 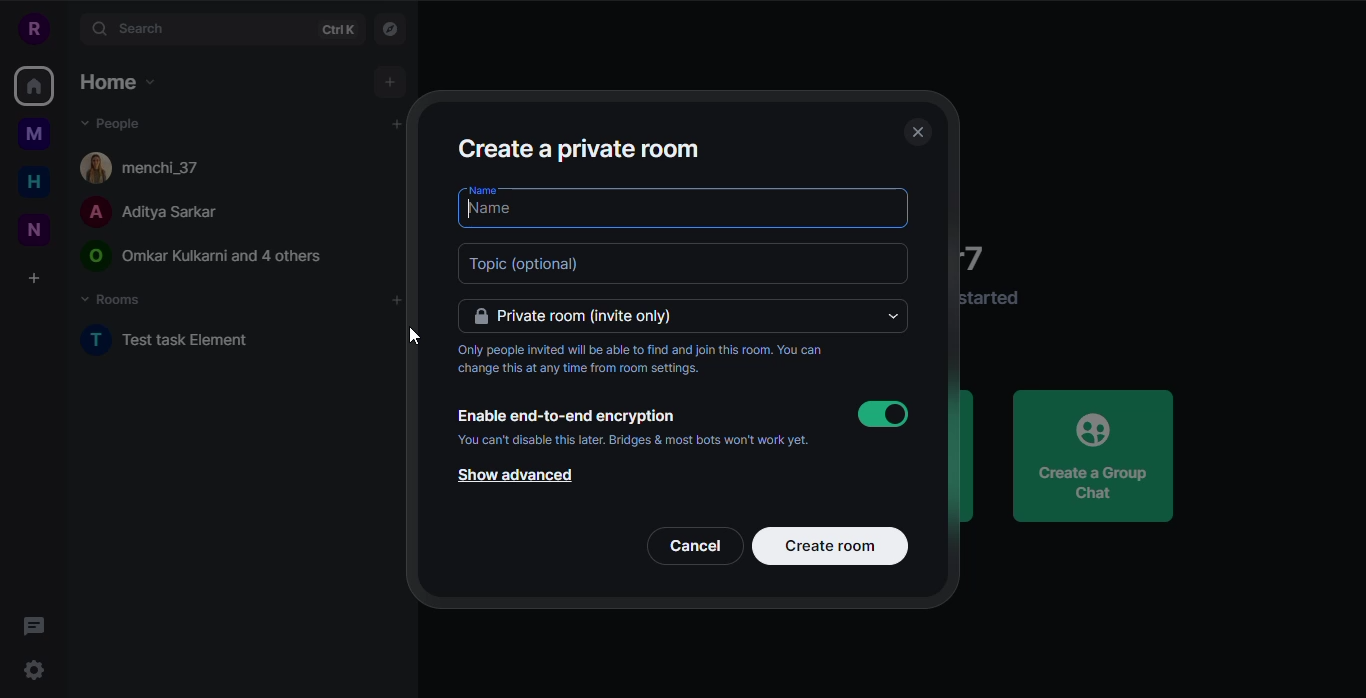 I want to click on home, so click(x=34, y=181).